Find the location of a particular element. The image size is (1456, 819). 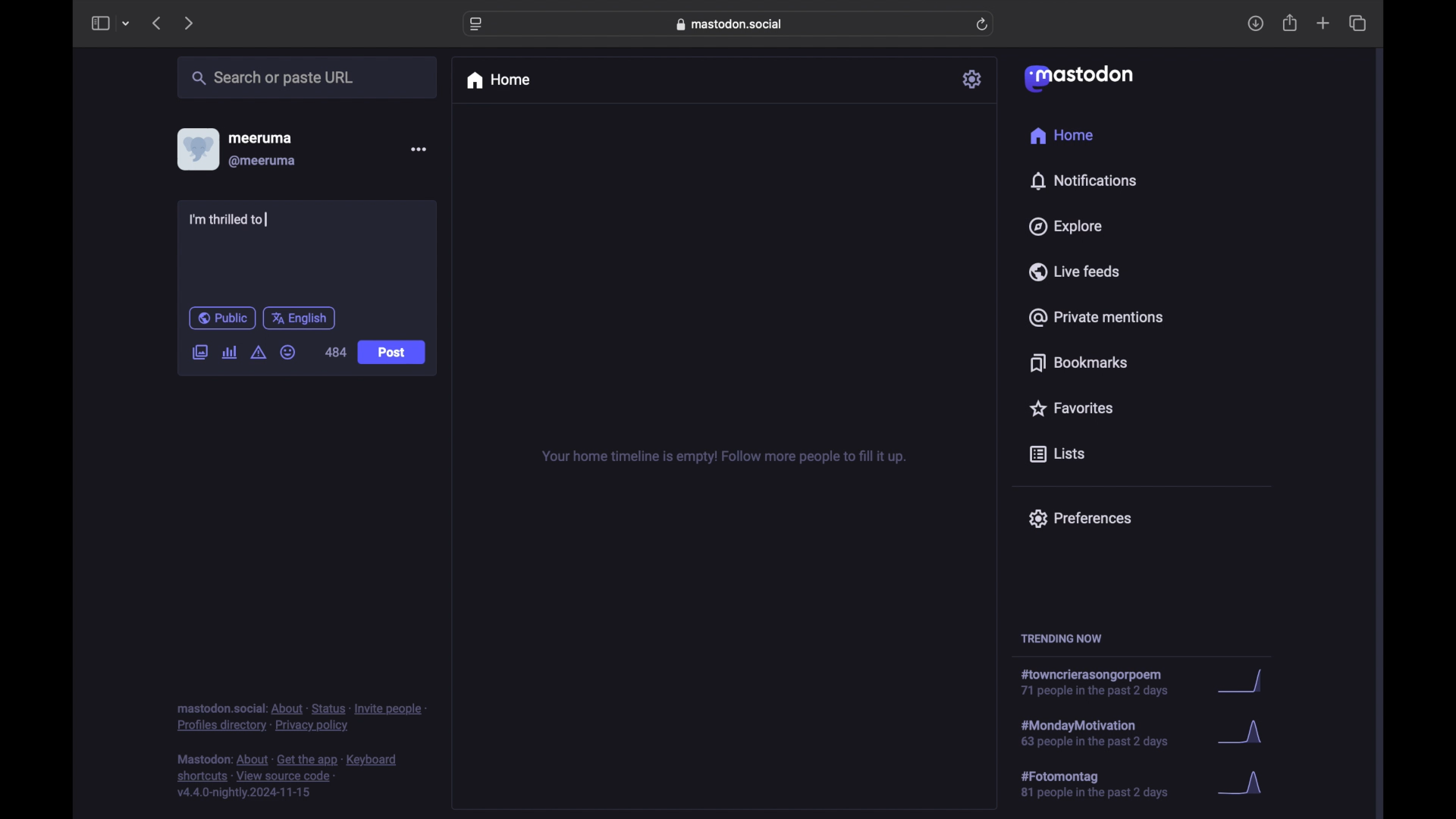

your home timeline is  empty! follow for more tips is located at coordinates (722, 457).